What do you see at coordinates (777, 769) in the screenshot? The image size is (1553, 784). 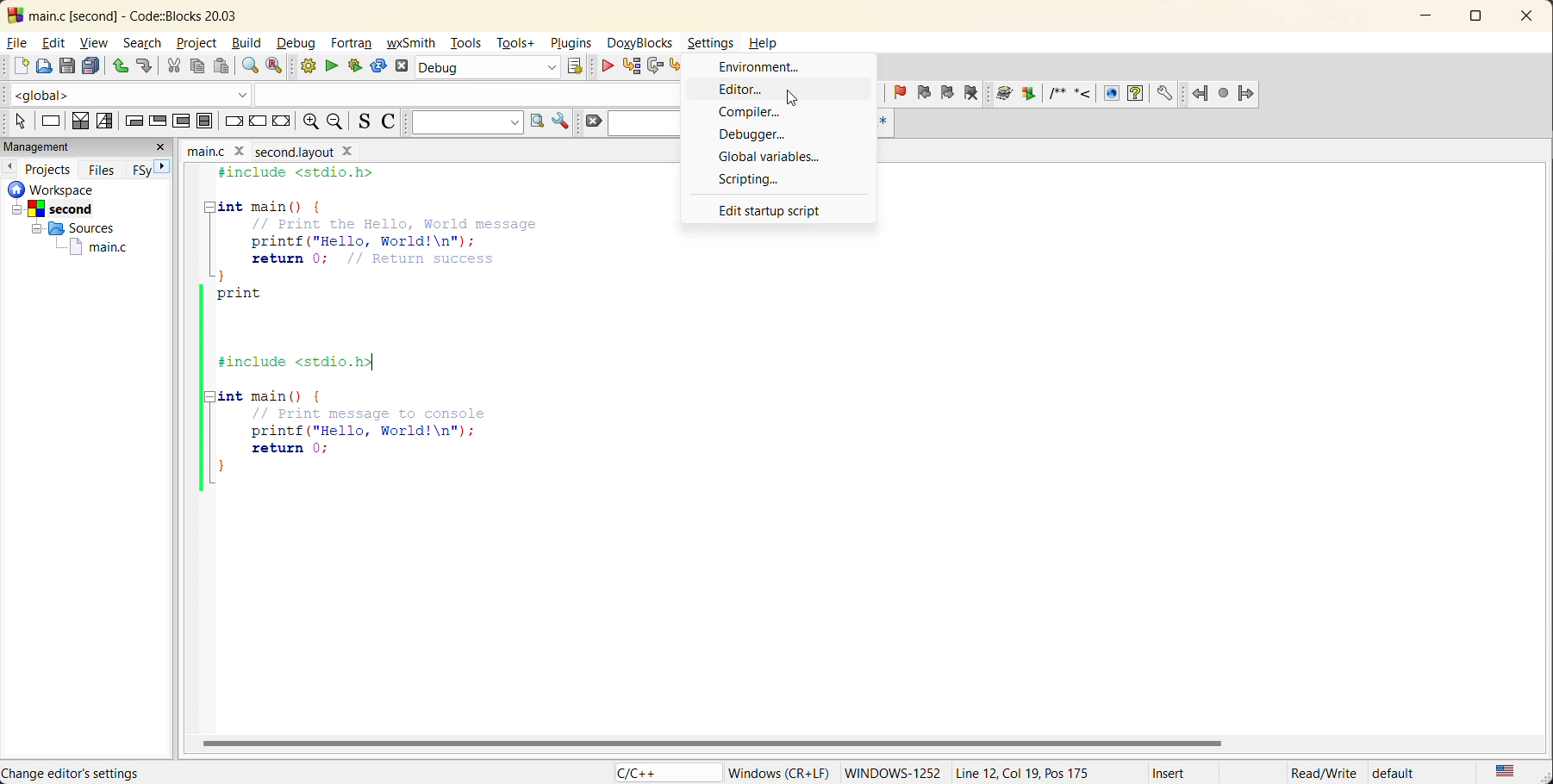 I see `Windows (CR+LF)` at bounding box center [777, 769].